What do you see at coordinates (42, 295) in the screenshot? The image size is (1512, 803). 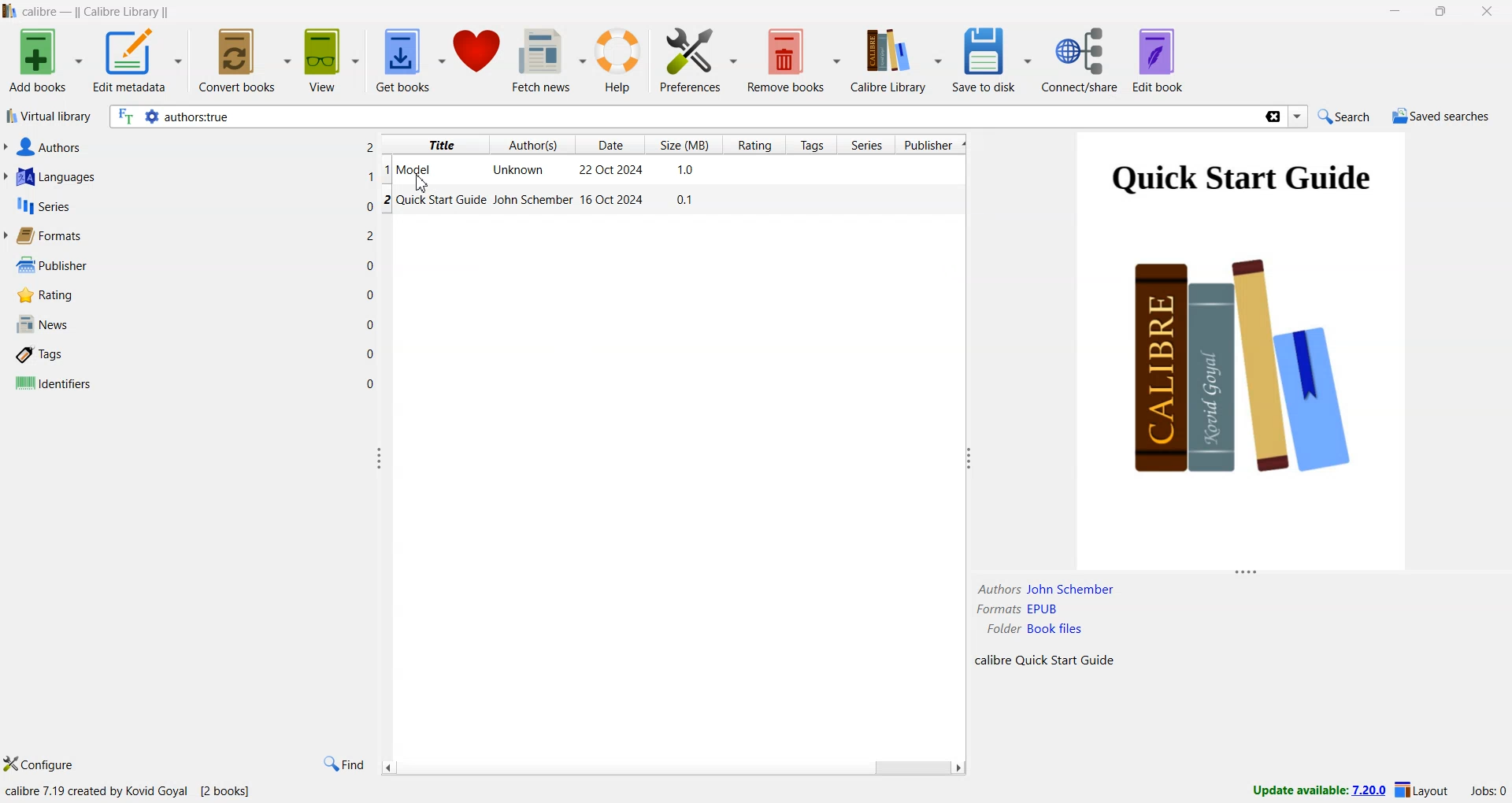 I see `rating` at bounding box center [42, 295].